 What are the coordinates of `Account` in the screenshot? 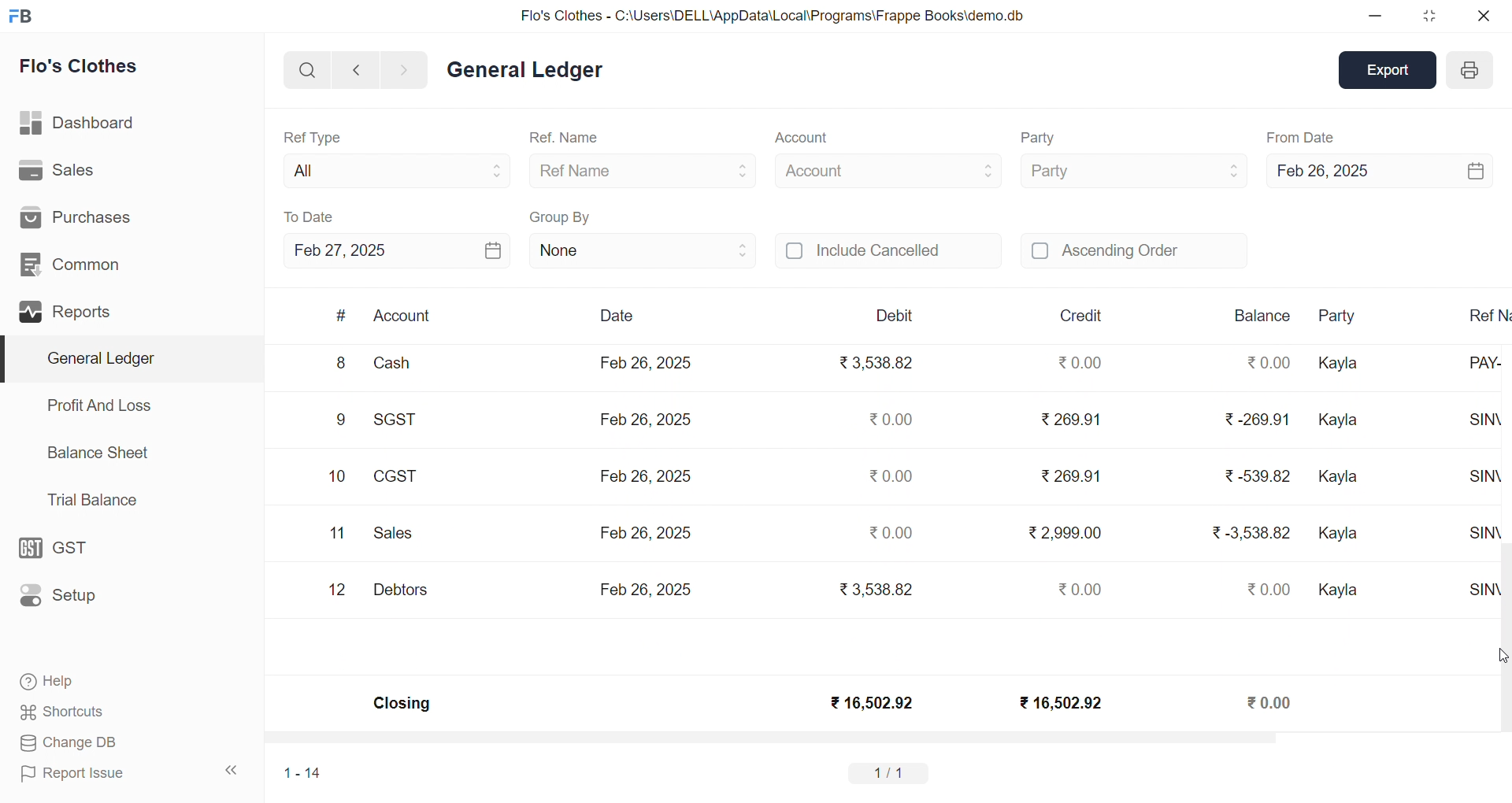 It's located at (888, 168).